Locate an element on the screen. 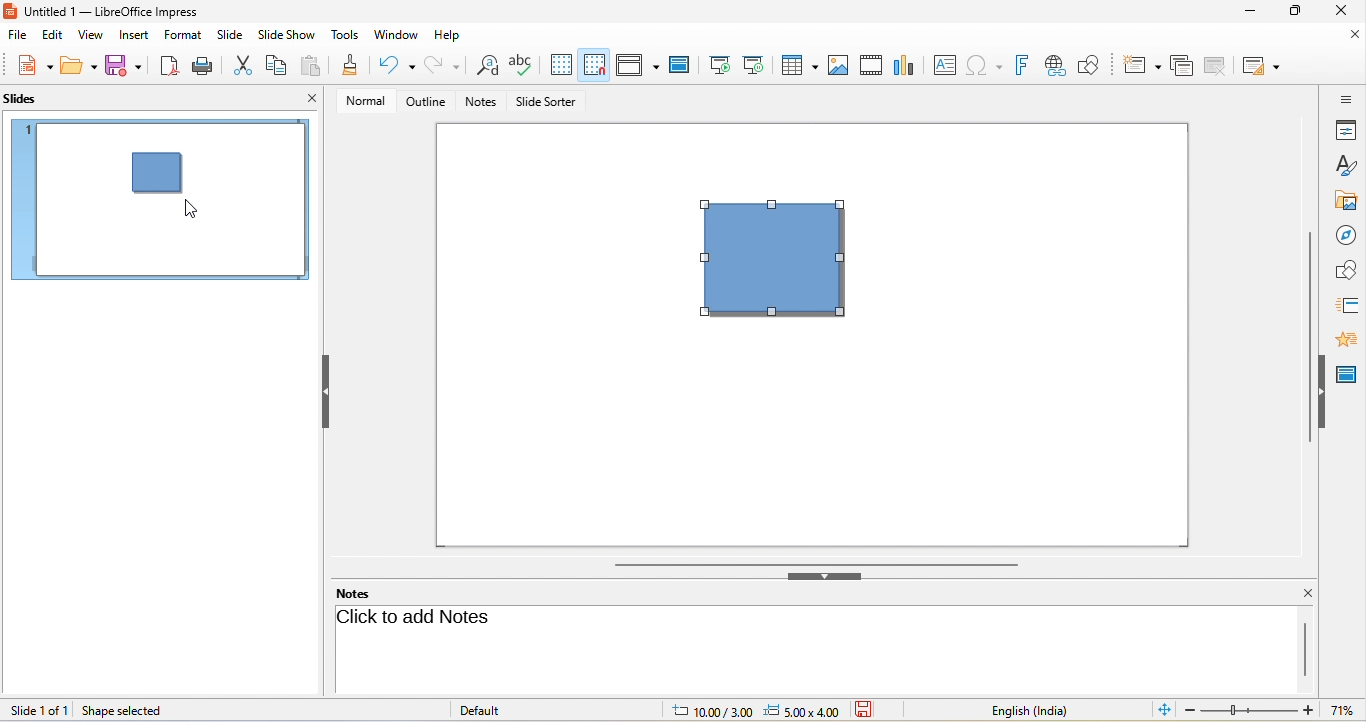  close is located at coordinates (310, 98).